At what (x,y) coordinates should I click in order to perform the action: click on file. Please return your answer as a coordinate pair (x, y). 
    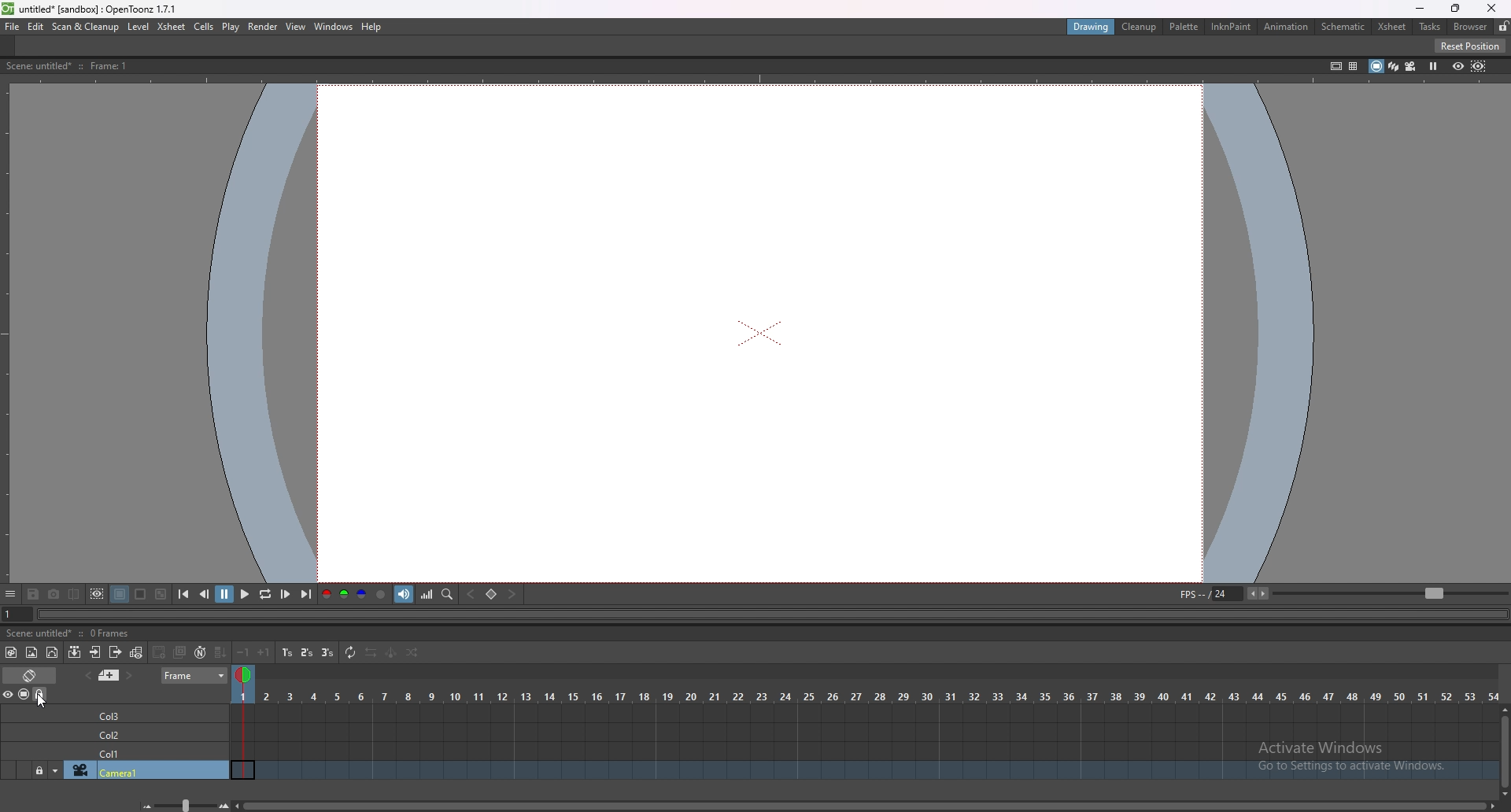
    Looking at the image, I should click on (13, 27).